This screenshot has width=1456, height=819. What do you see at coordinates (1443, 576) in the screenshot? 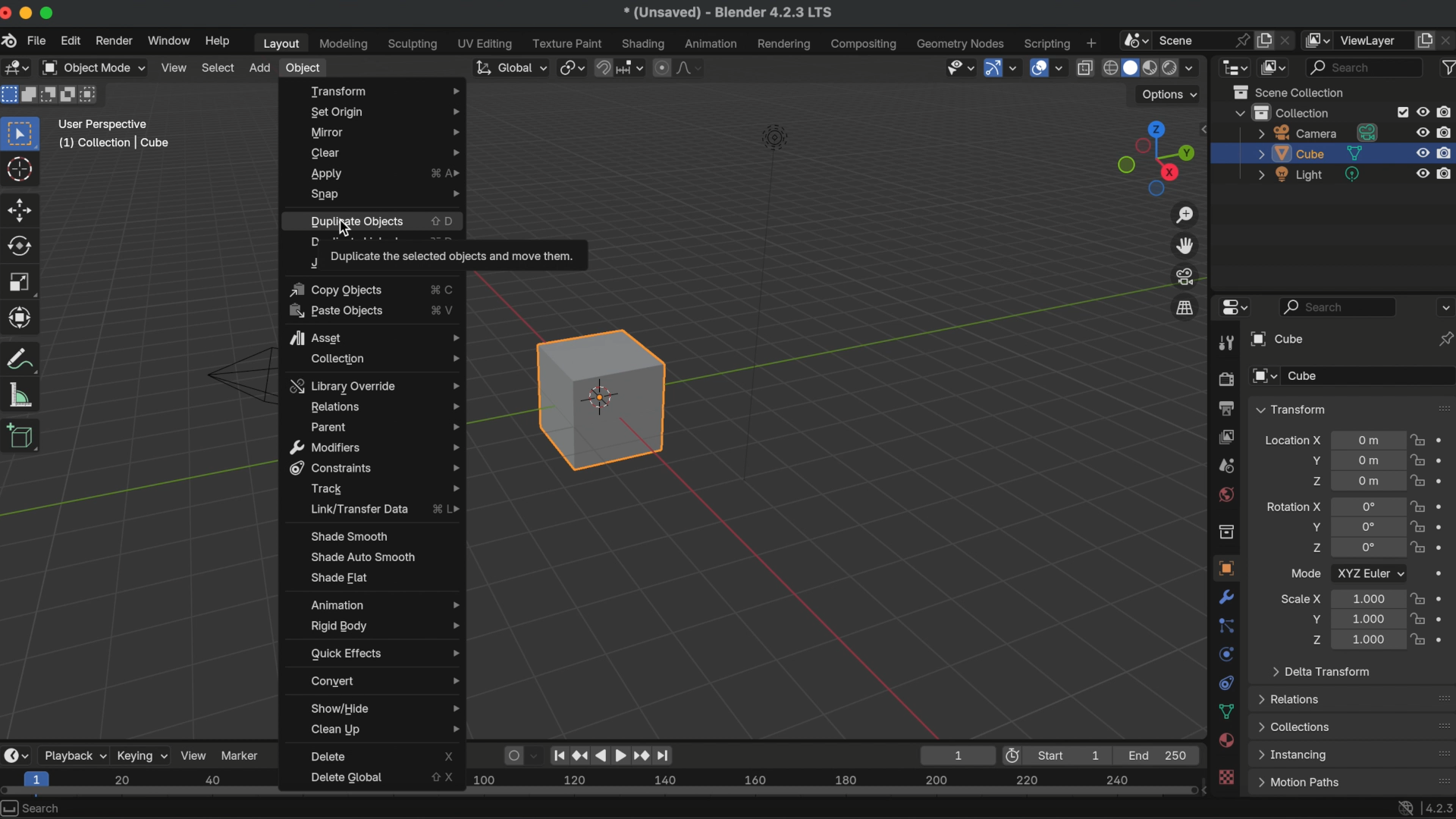
I see `animate property` at bounding box center [1443, 576].